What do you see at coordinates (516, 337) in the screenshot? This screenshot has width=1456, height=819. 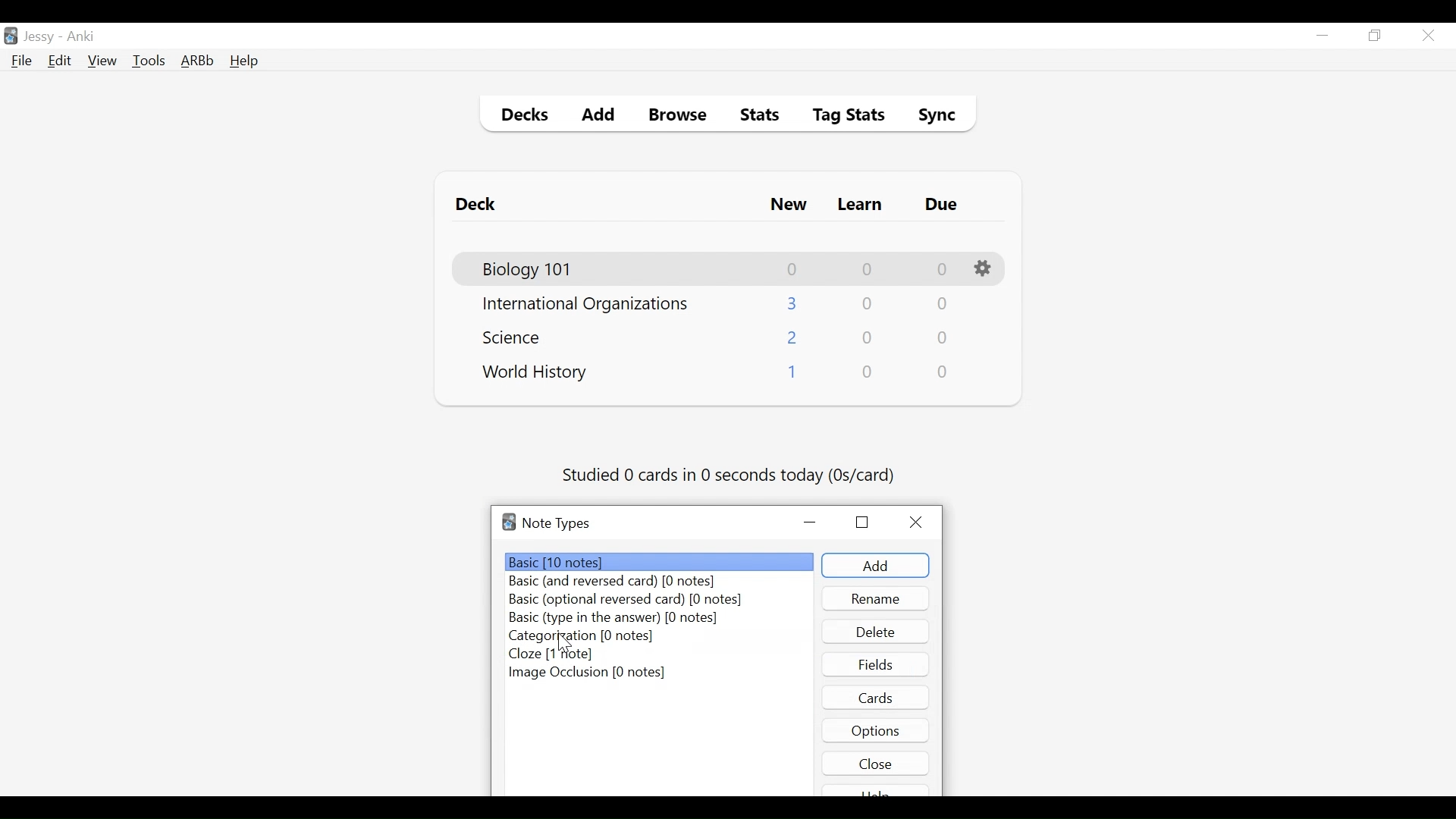 I see `Deck Name` at bounding box center [516, 337].